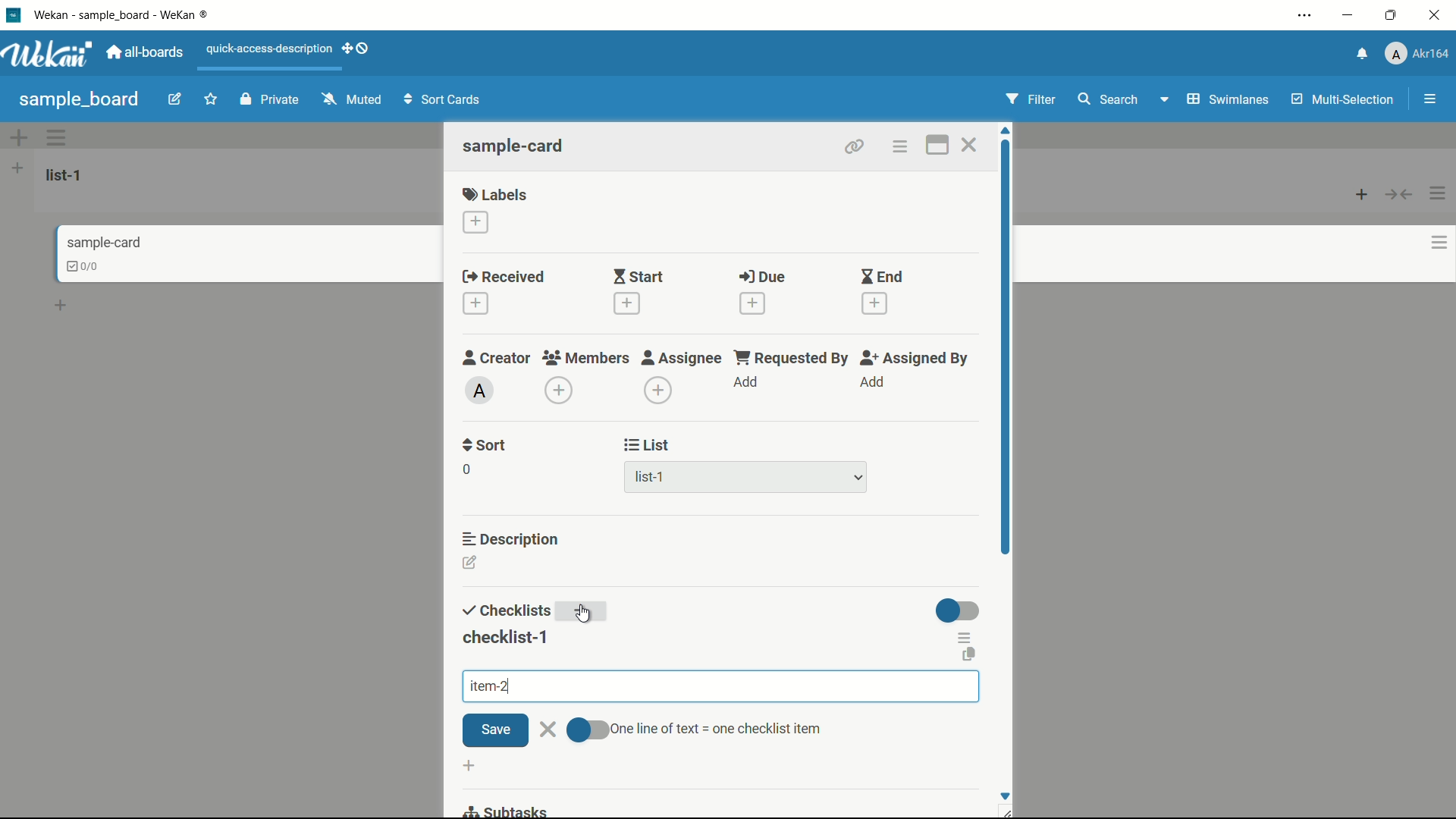 This screenshot has height=819, width=1456. I want to click on text, so click(716, 729).